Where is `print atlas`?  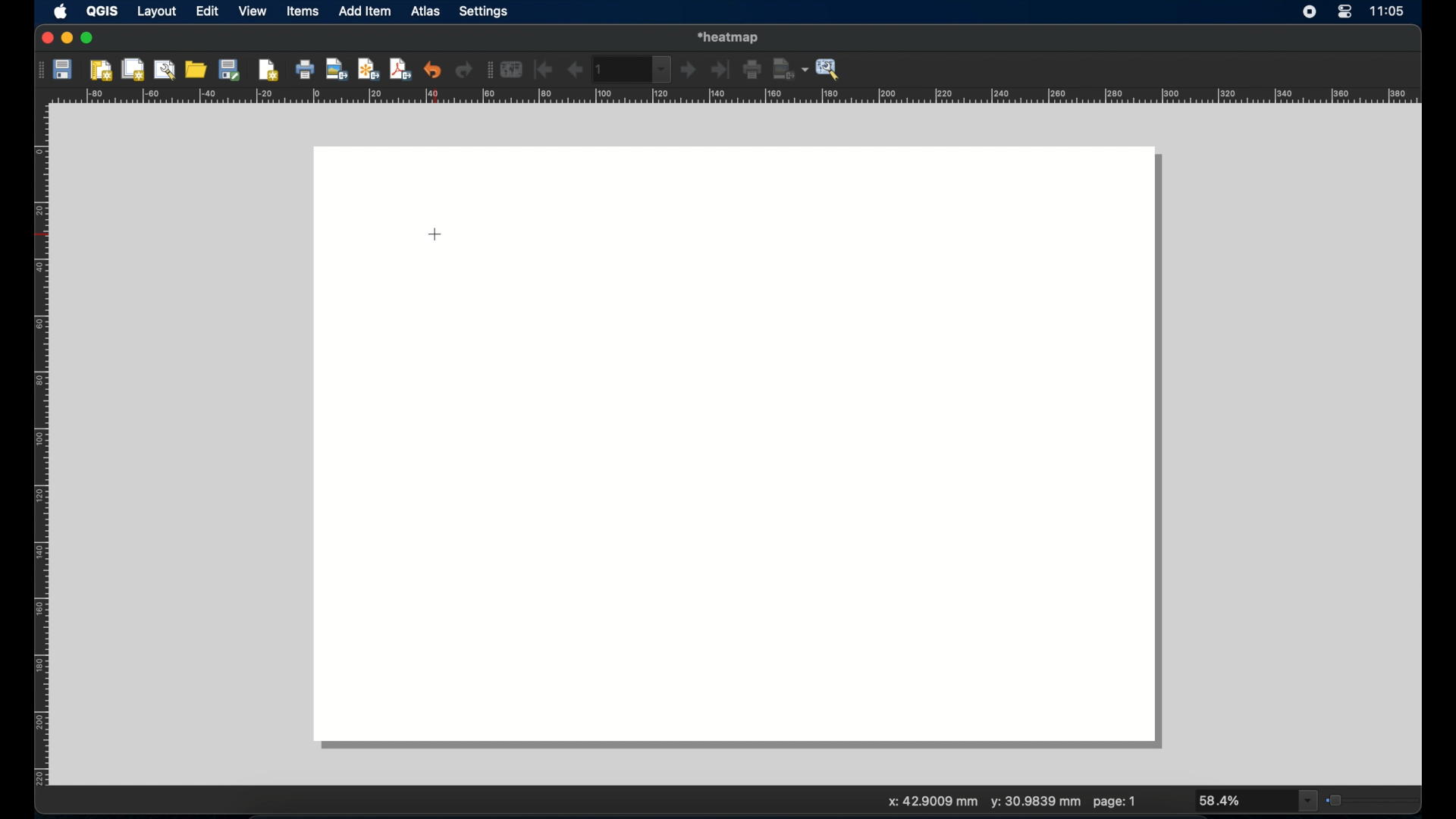
print atlas is located at coordinates (753, 71).